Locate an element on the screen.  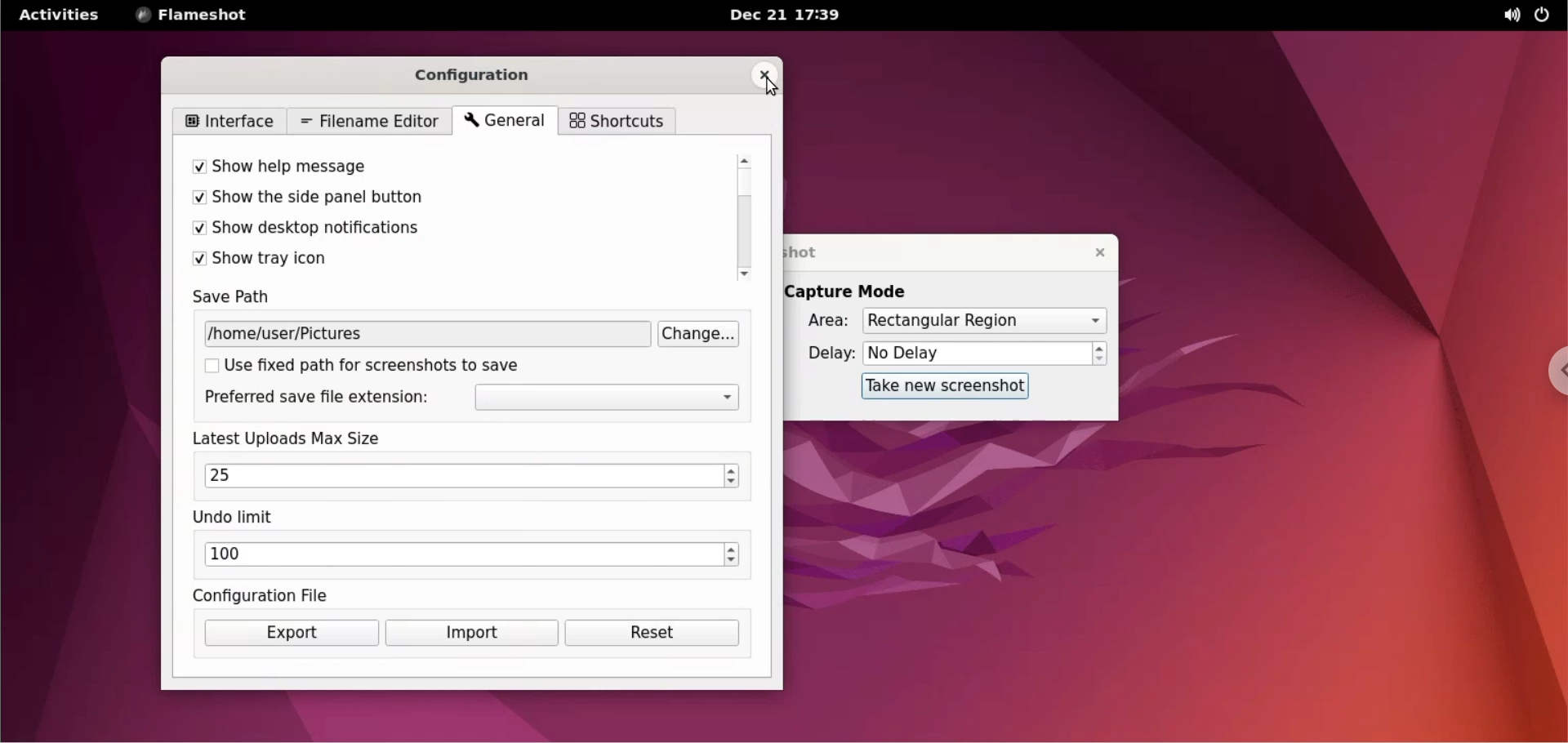
reset  is located at coordinates (653, 633).